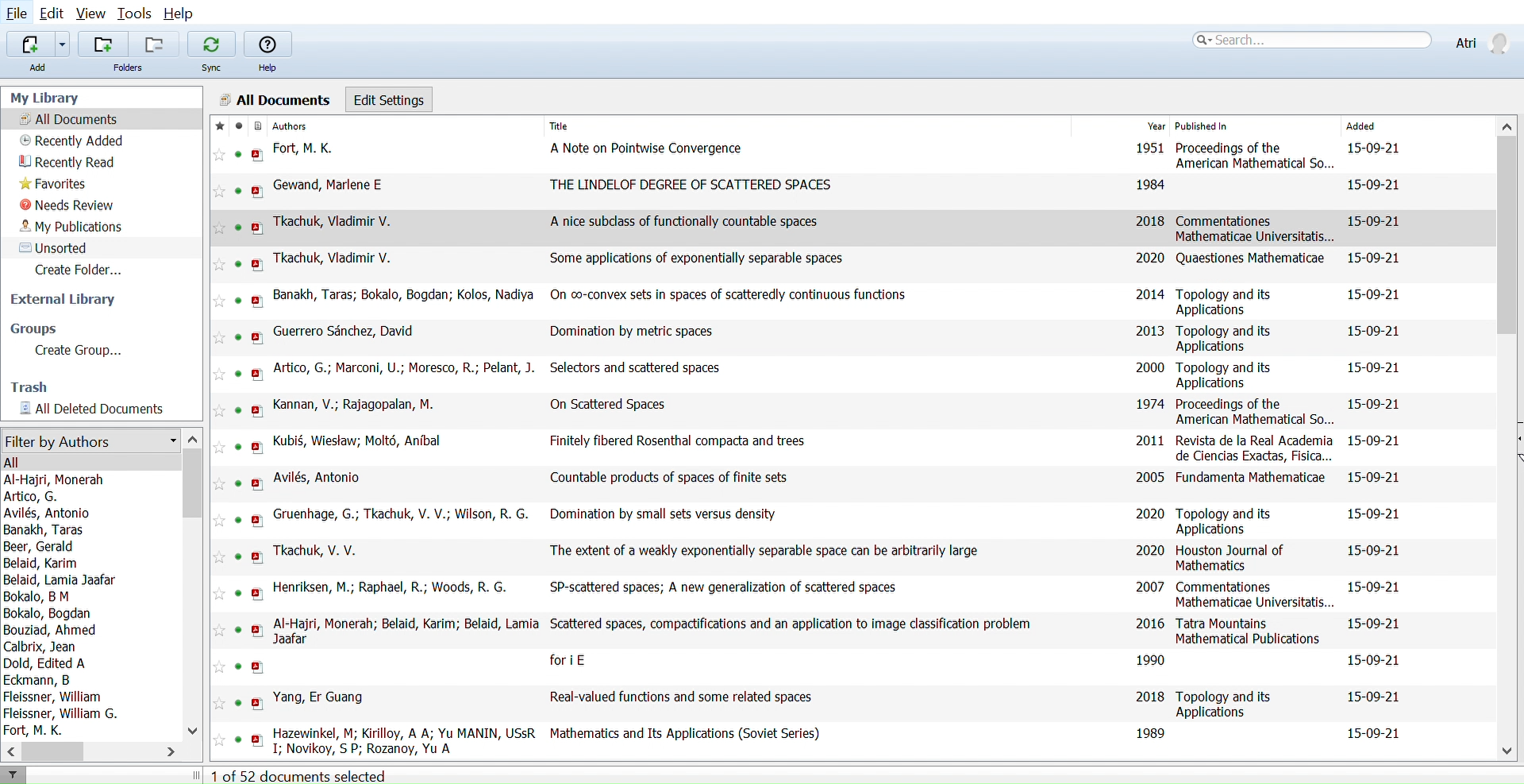 This screenshot has width=1524, height=784. I want to click on Avilés, Antonio, so click(47, 513).